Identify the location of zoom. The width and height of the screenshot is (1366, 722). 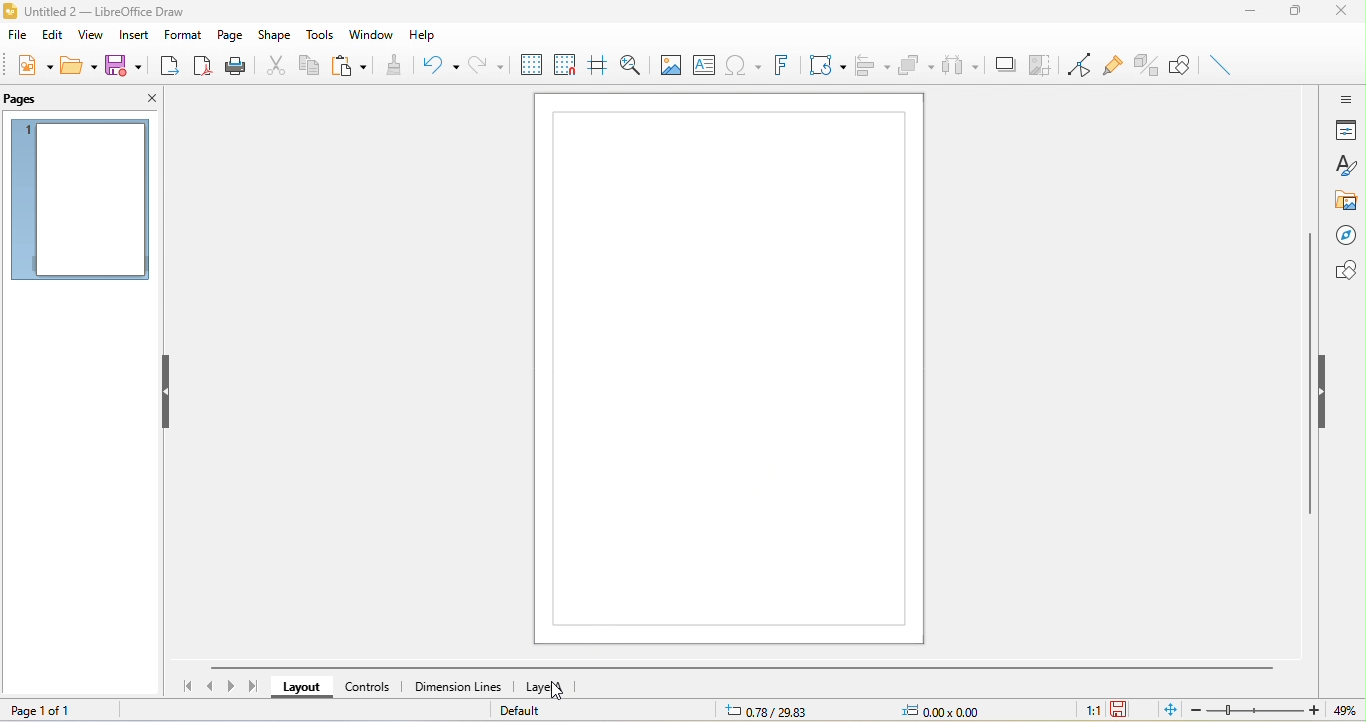
(1251, 711).